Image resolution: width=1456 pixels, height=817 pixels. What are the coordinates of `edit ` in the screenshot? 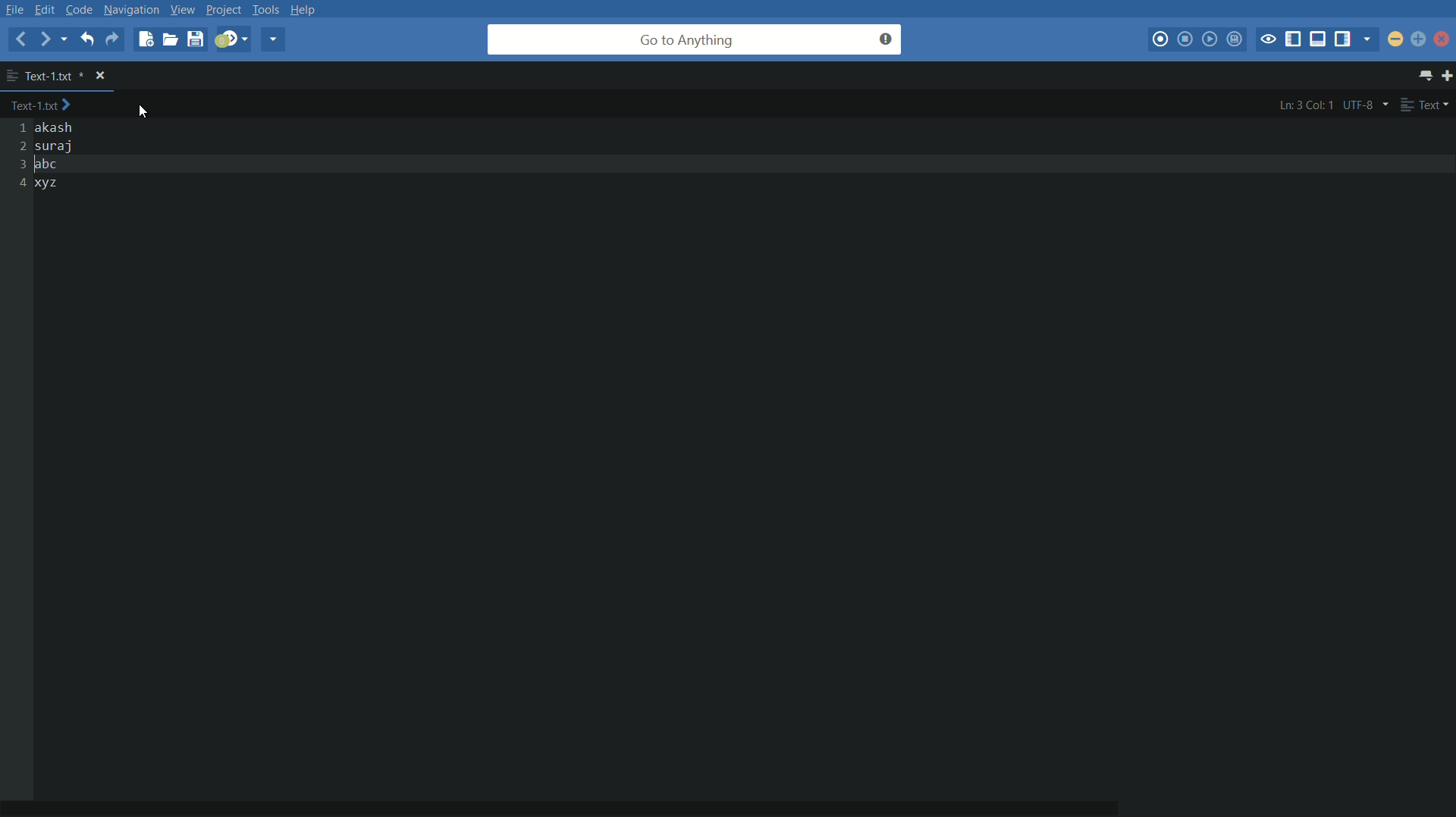 It's located at (48, 9).